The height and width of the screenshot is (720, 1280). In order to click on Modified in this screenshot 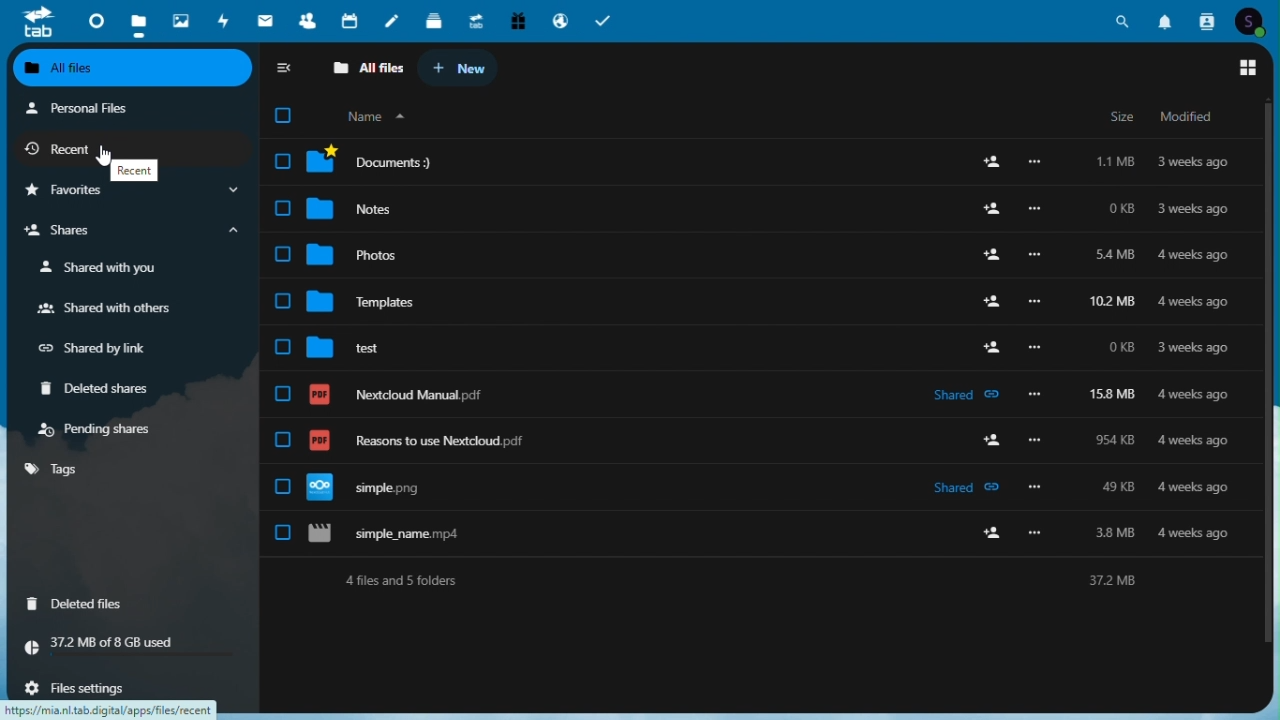, I will do `click(1187, 115)`.